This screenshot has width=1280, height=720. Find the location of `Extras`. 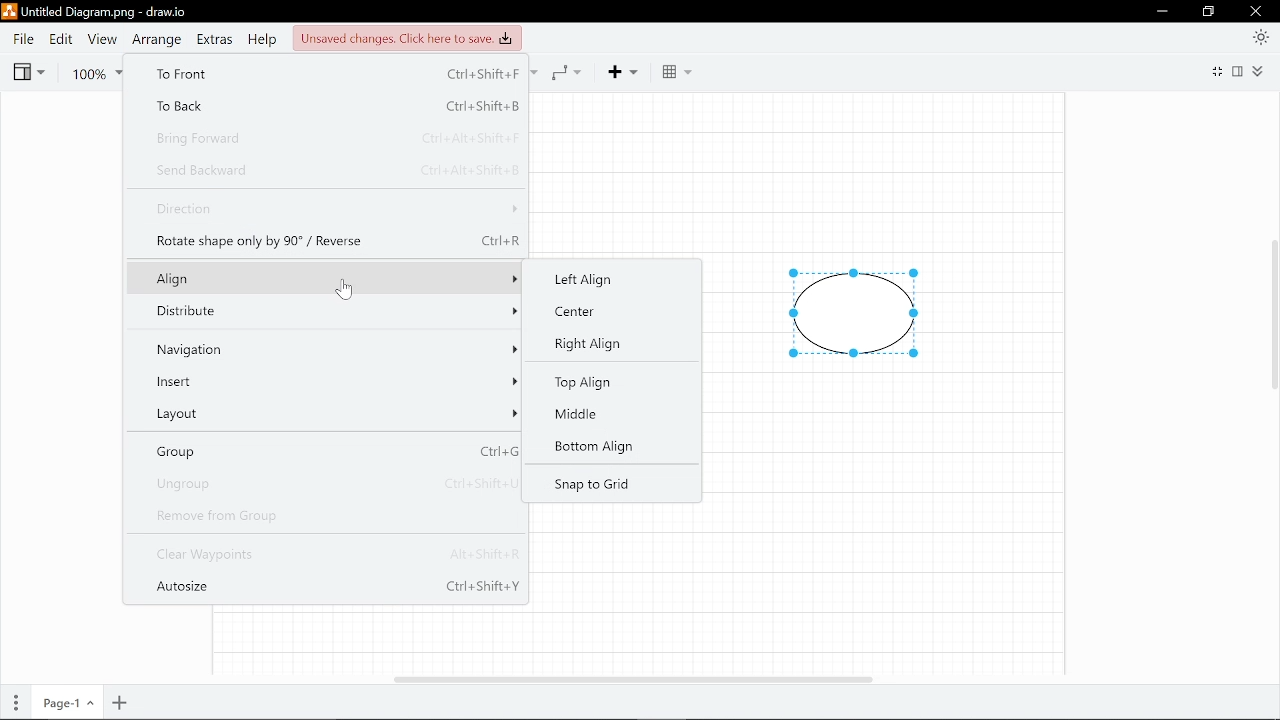

Extras is located at coordinates (214, 39).